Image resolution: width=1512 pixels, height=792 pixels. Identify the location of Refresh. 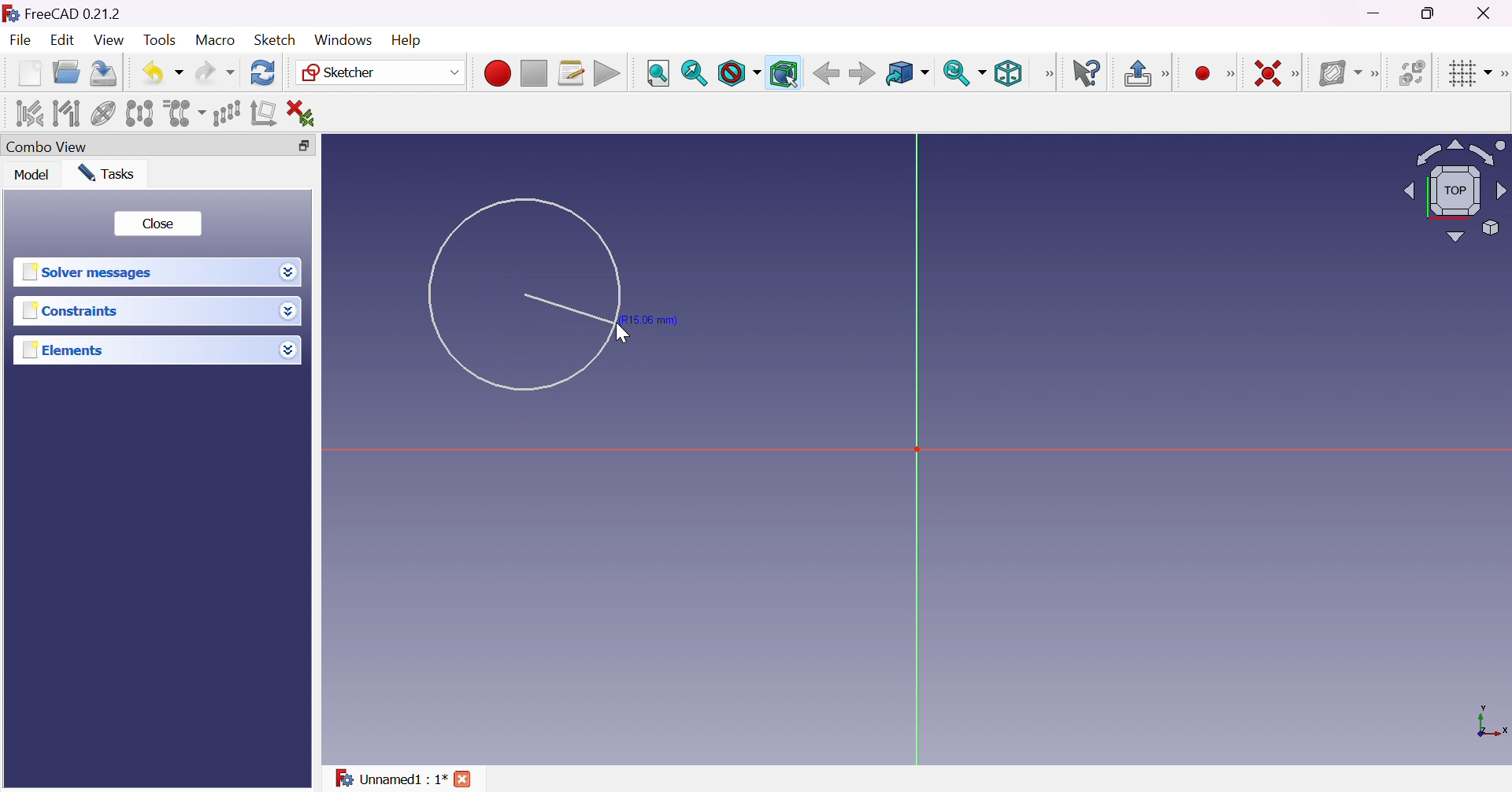
(263, 72).